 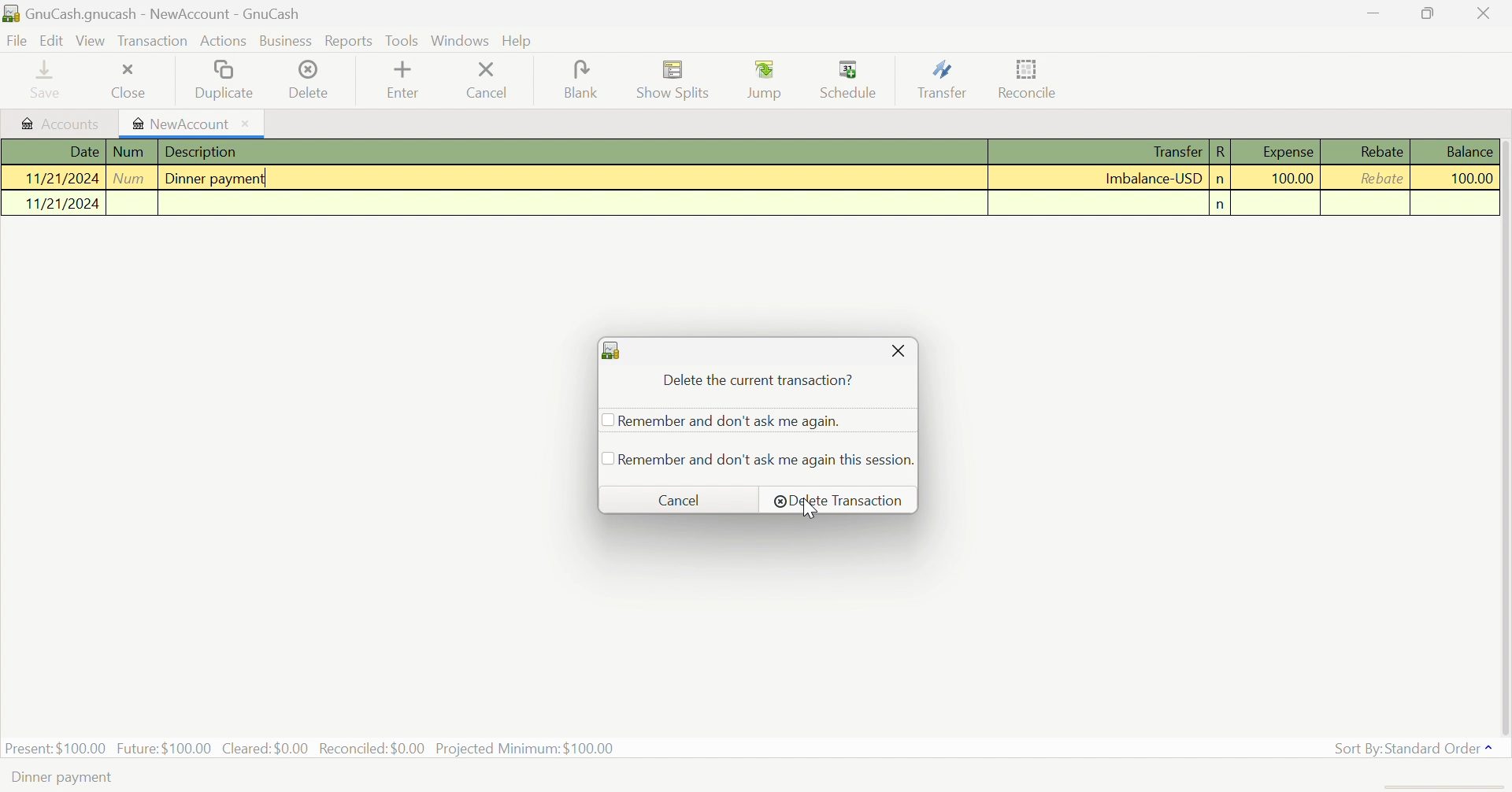 I want to click on Actions, so click(x=224, y=41).